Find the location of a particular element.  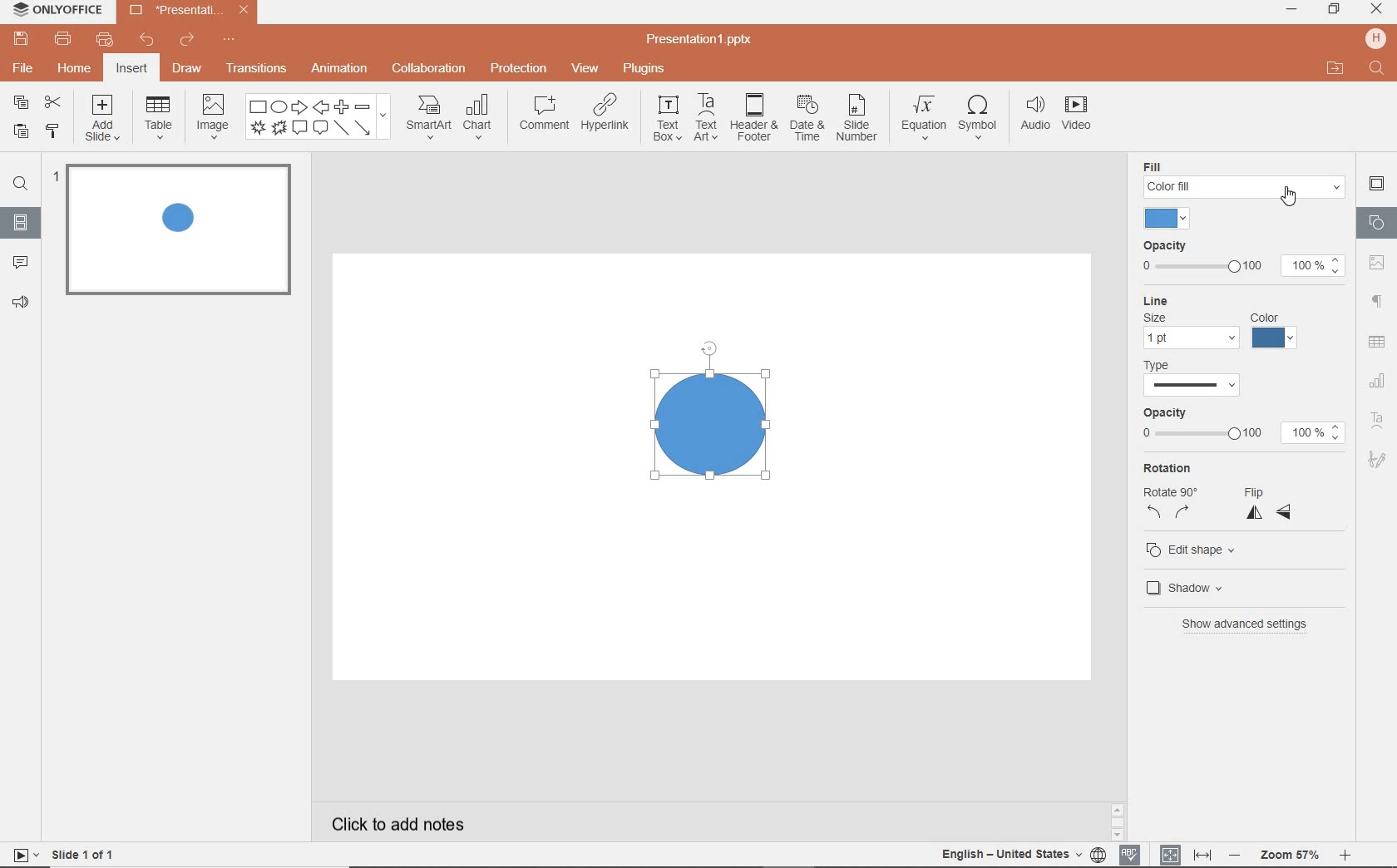

shapes is located at coordinates (1376, 222).